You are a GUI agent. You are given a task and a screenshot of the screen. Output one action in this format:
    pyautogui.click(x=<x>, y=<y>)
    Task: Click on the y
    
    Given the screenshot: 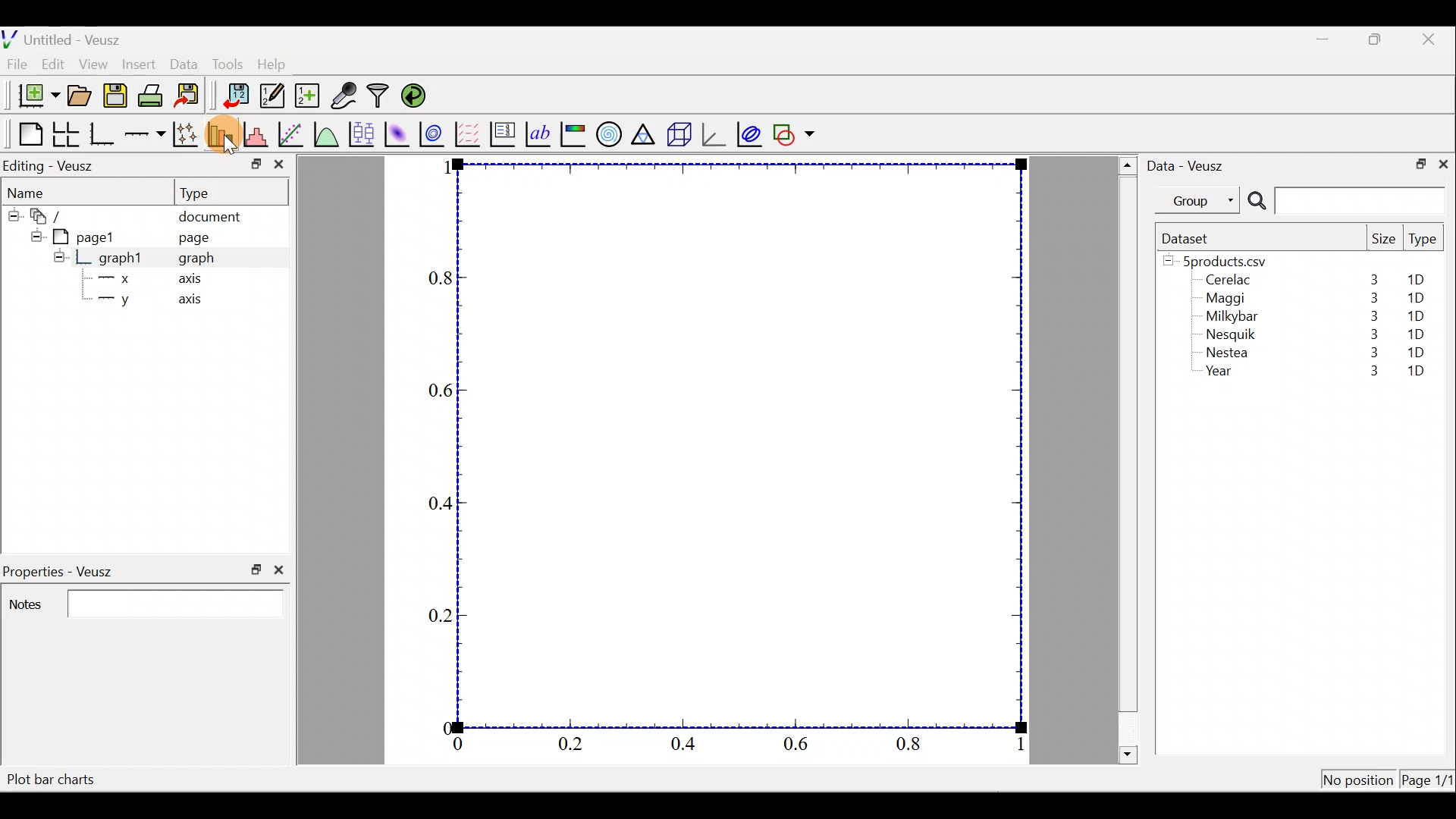 What is the action you would take?
    pyautogui.click(x=114, y=301)
    